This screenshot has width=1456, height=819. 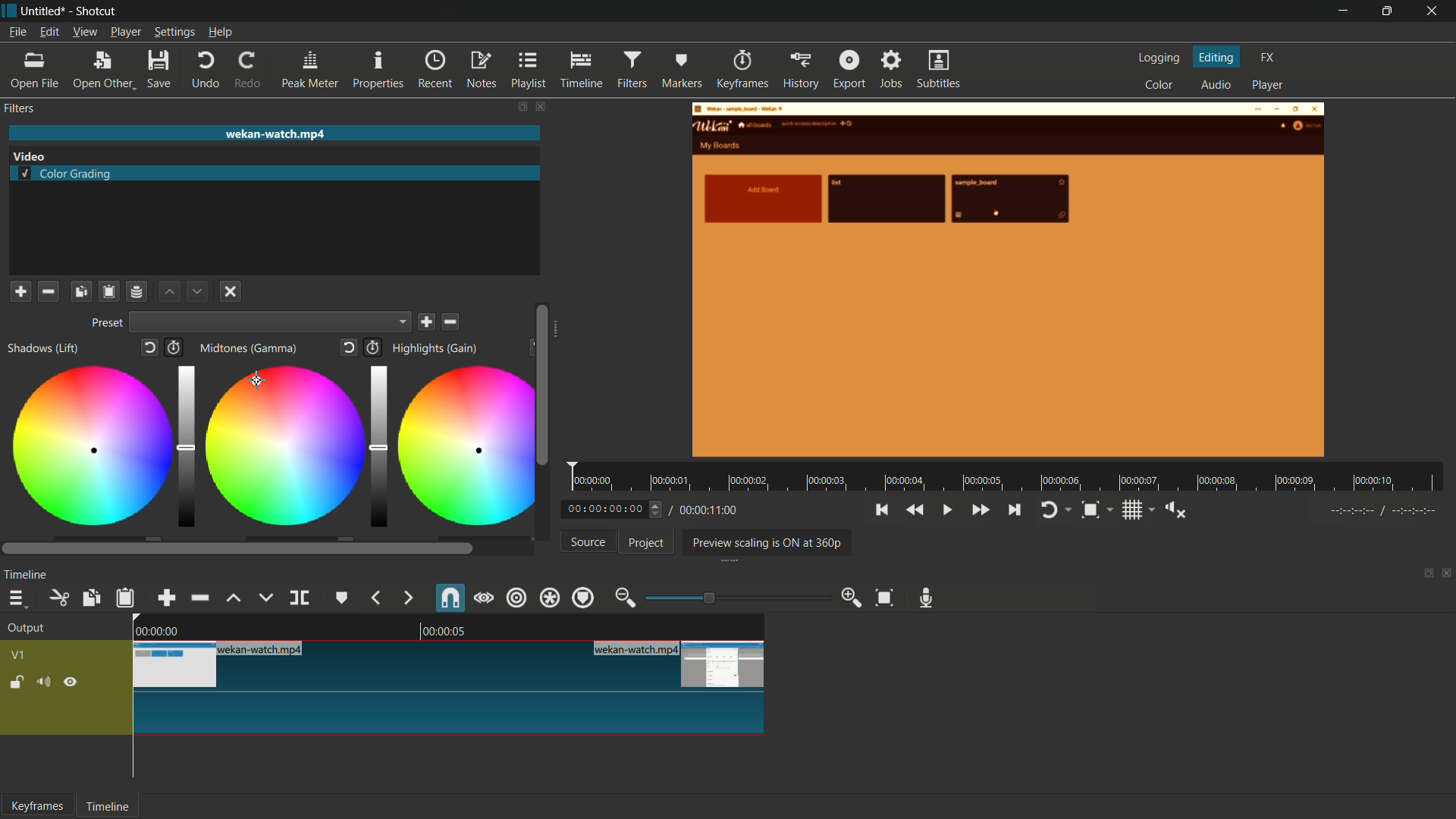 I want to click on 00.00, so click(x=156, y=629).